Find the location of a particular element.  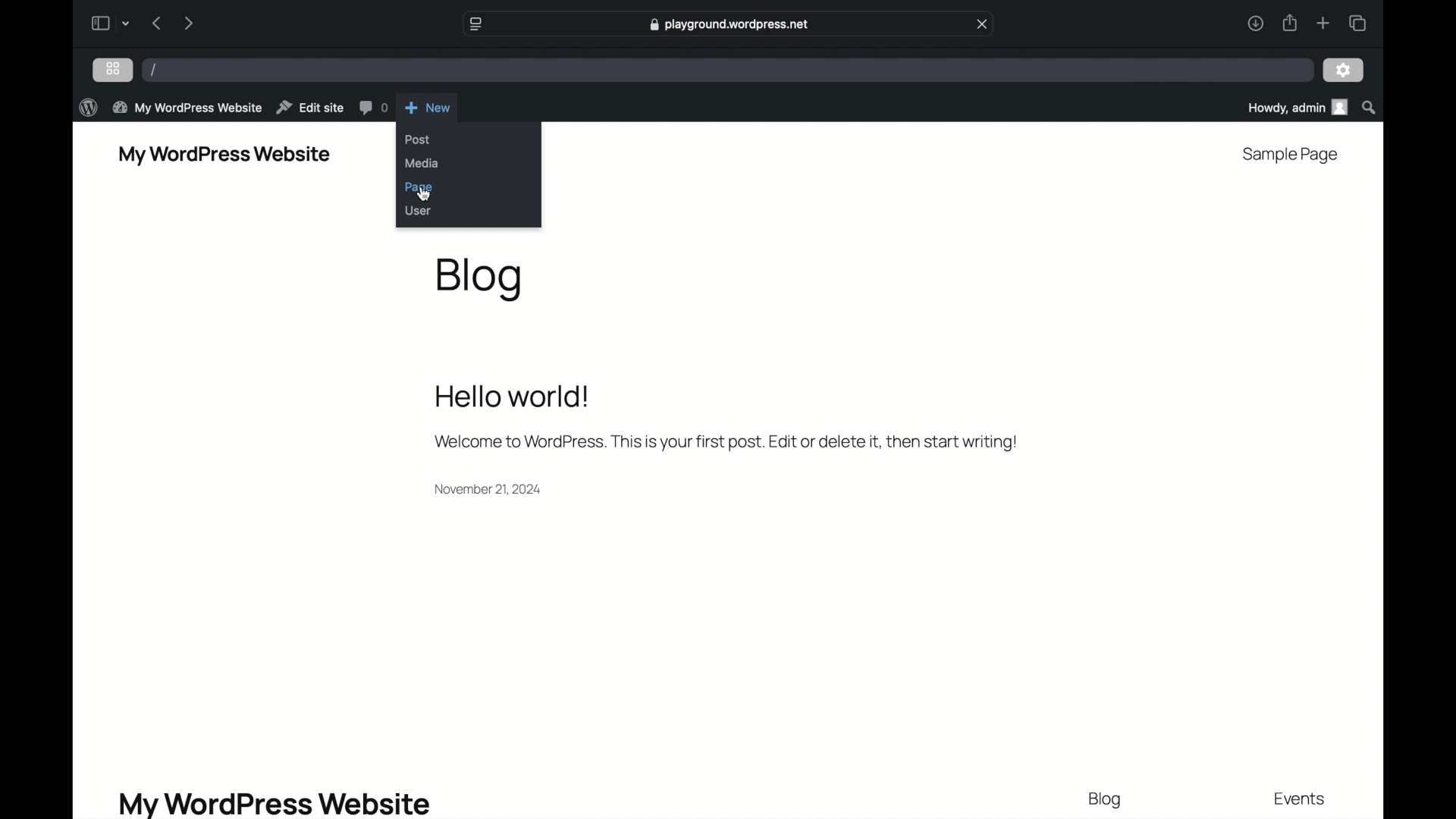

search is located at coordinates (1369, 107).